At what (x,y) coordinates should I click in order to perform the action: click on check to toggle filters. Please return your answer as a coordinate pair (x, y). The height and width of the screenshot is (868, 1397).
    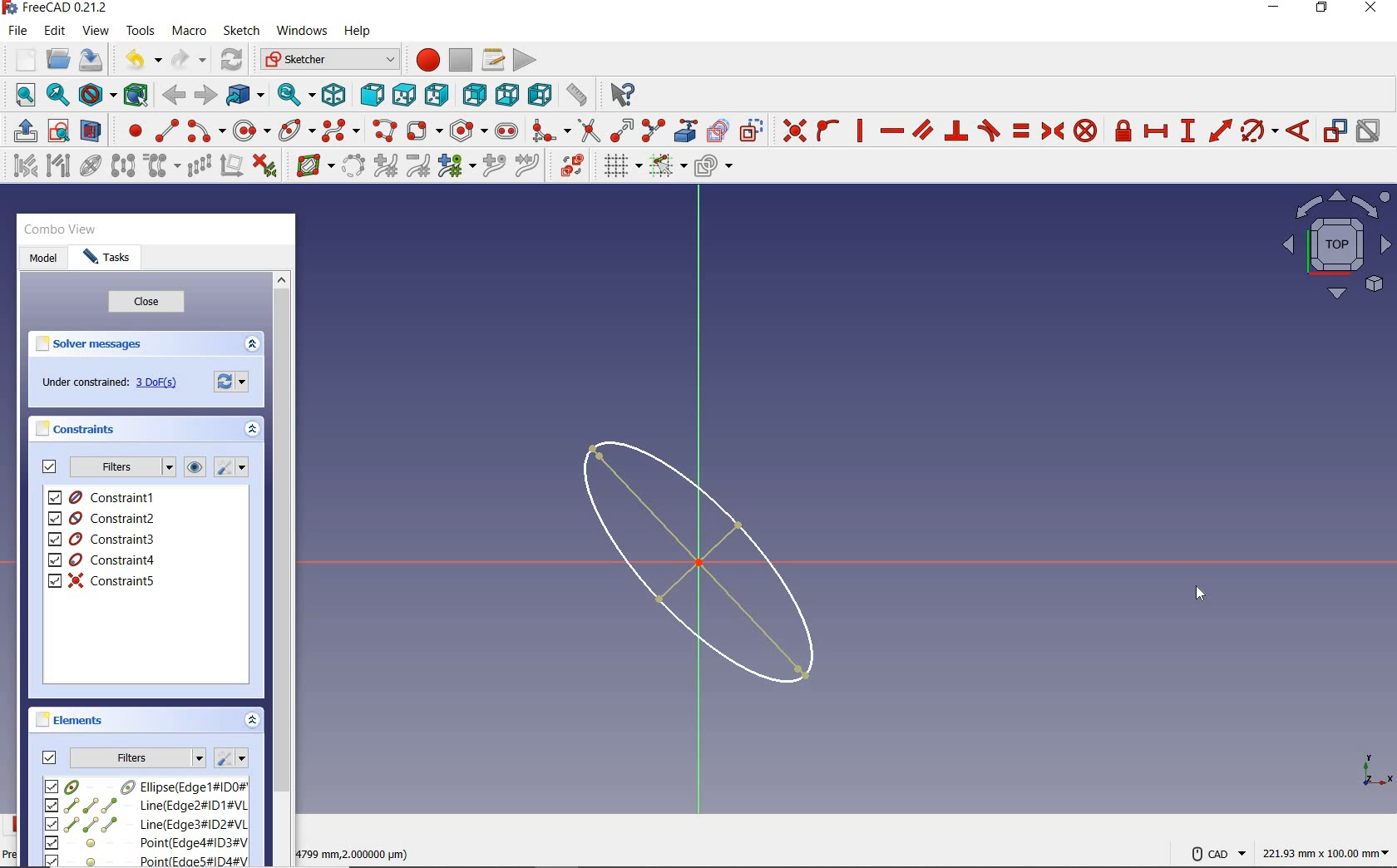
    Looking at the image, I should click on (50, 466).